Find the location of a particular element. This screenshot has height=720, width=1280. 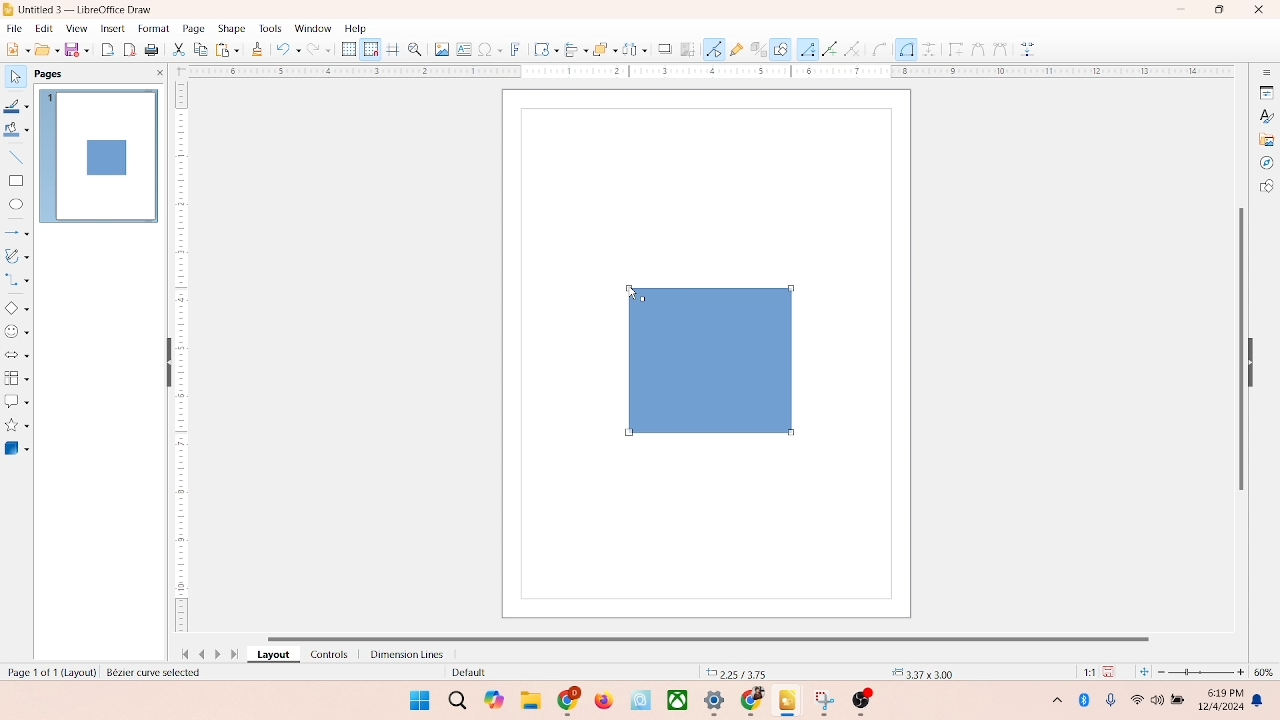

zoom percentage is located at coordinates (1267, 672).